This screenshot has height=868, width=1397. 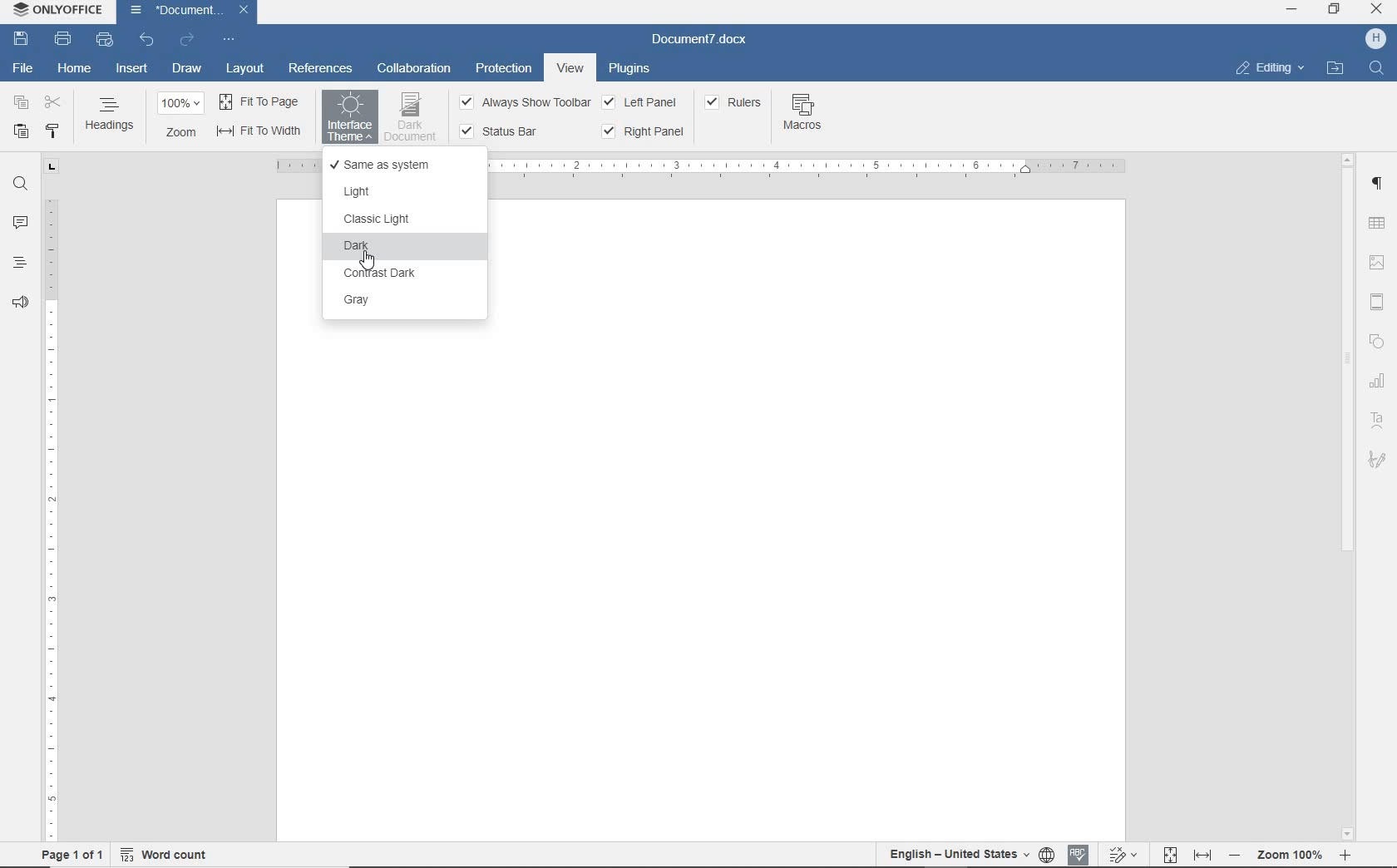 What do you see at coordinates (411, 116) in the screenshot?
I see `DARK DOCUMENT` at bounding box center [411, 116].